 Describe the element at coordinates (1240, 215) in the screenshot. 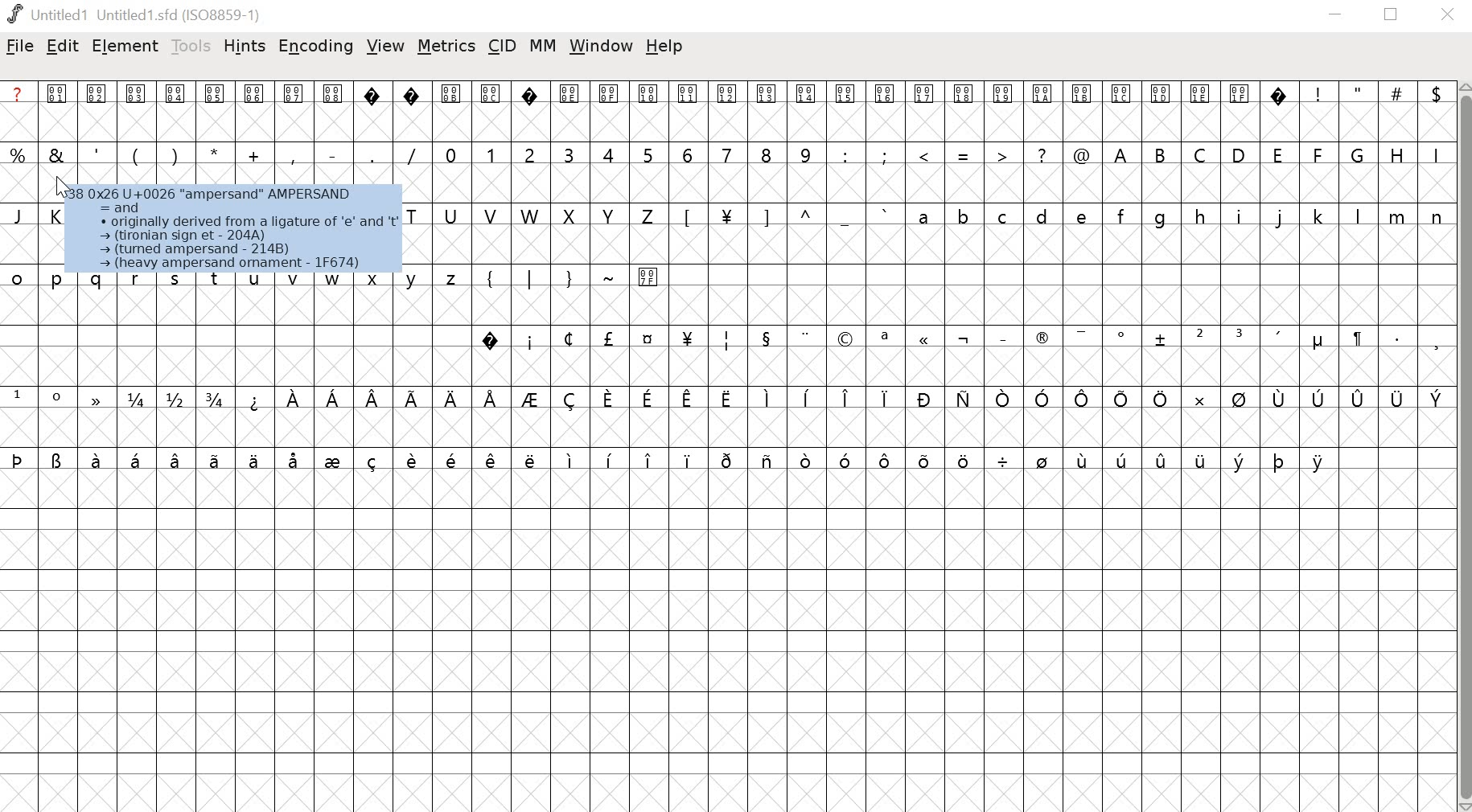

I see `i` at that location.